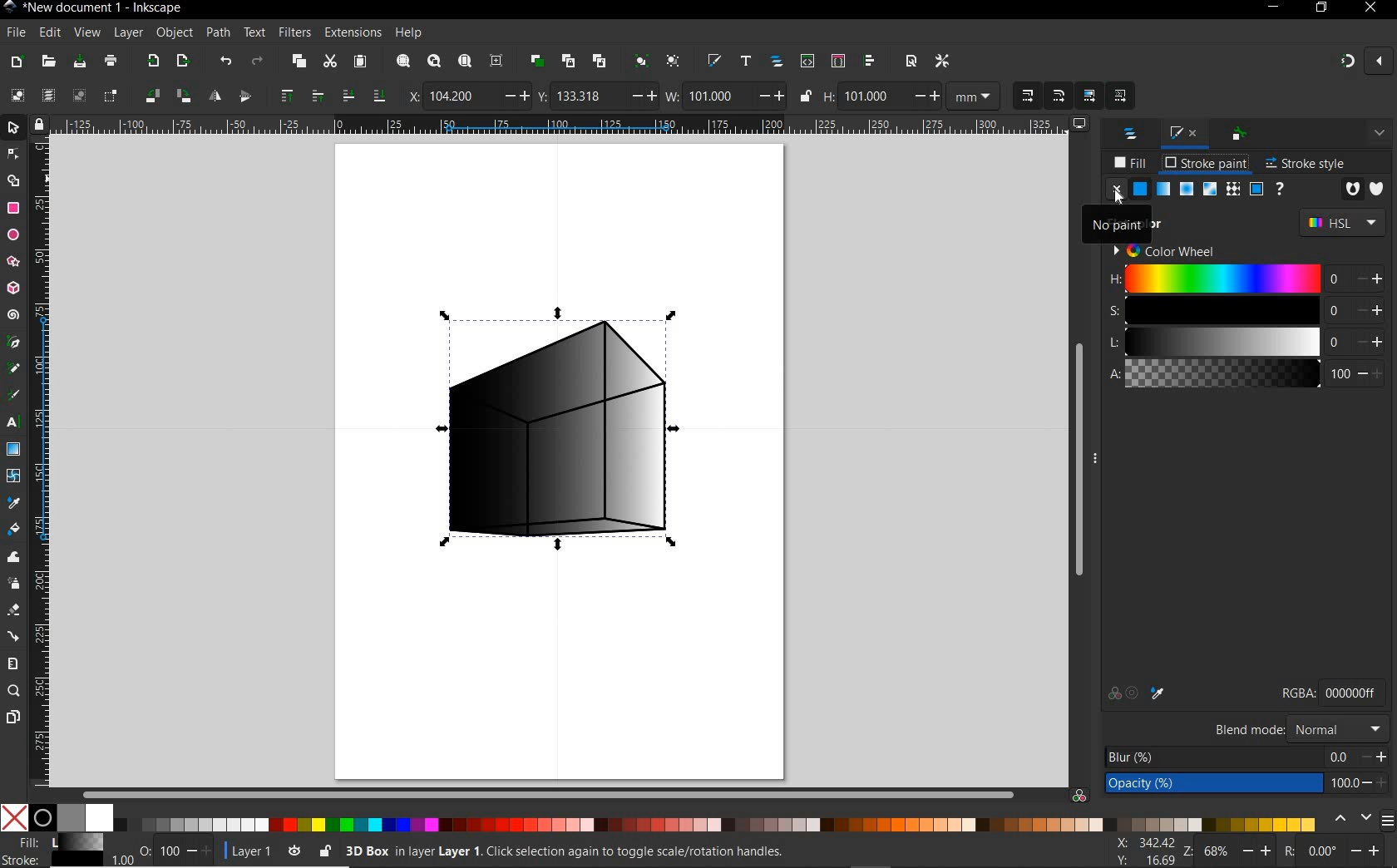 Image resolution: width=1397 pixels, height=868 pixels. I want to click on DROPPER TOOL, so click(13, 503).